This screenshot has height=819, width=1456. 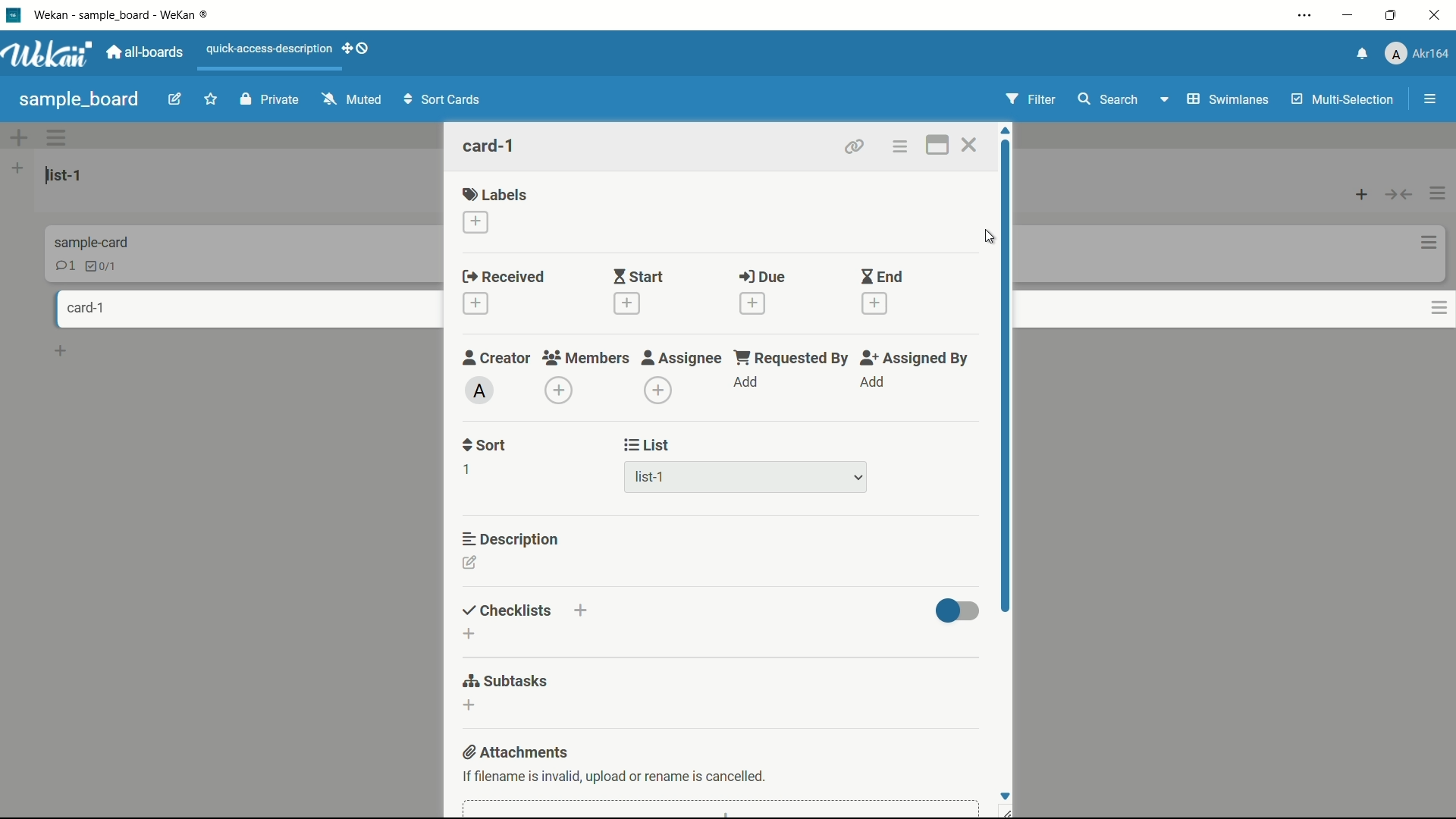 I want to click on list, so click(x=649, y=447).